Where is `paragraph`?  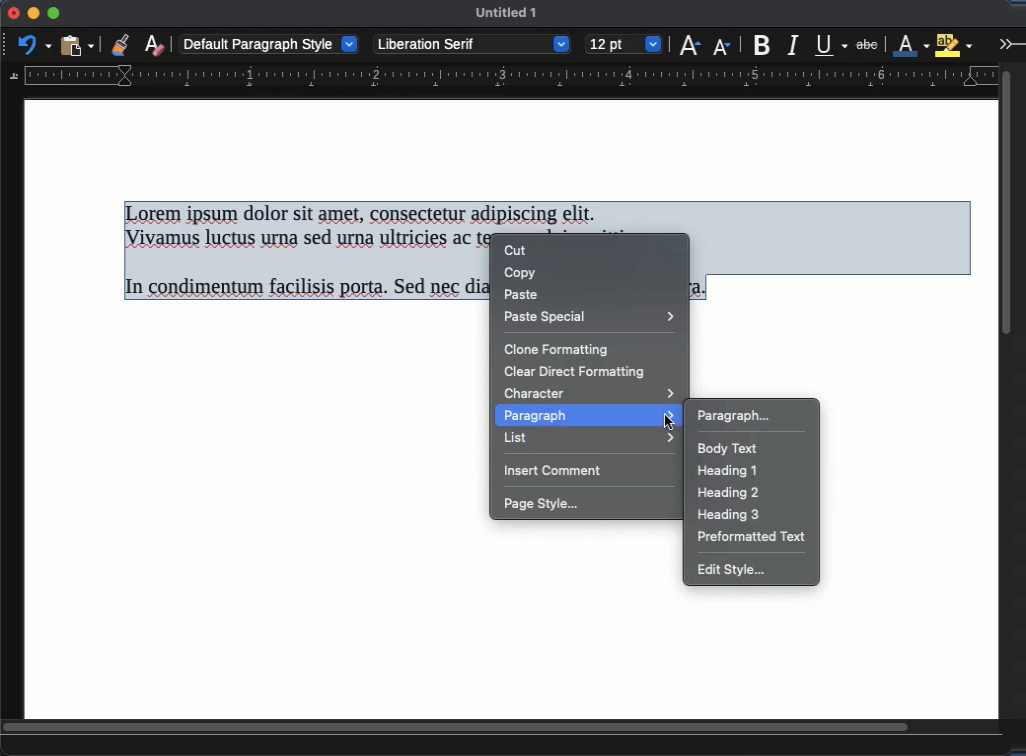
paragraph is located at coordinates (578, 416).